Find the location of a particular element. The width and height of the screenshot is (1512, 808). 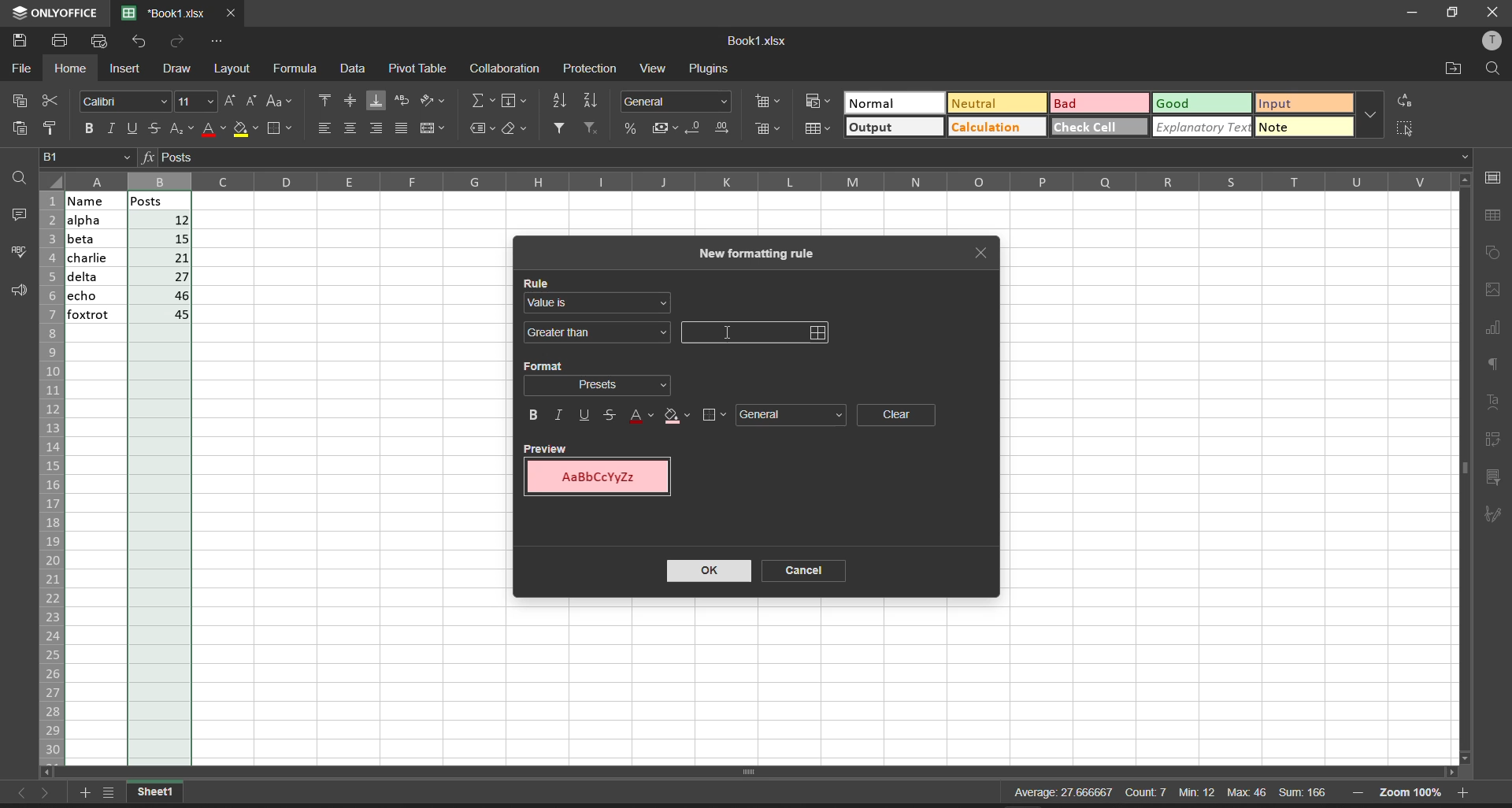

spell checking is located at coordinates (17, 251).